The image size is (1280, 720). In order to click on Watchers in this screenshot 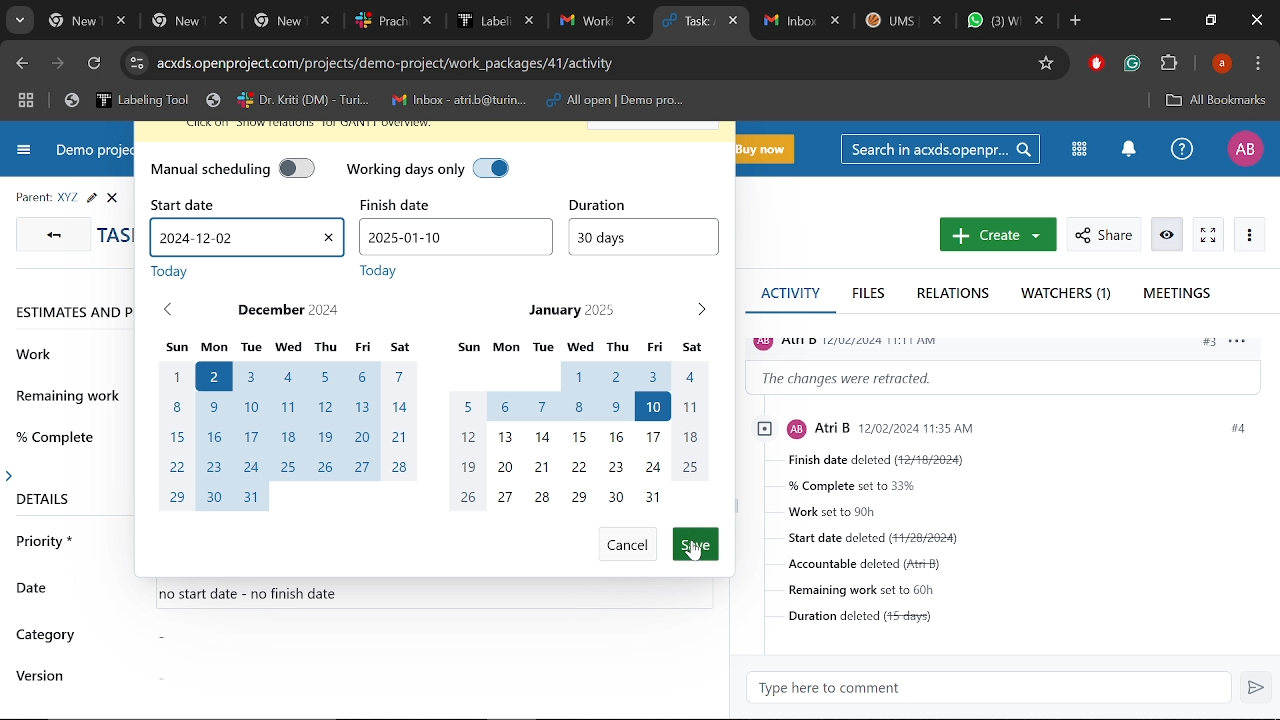, I will do `click(1068, 294)`.